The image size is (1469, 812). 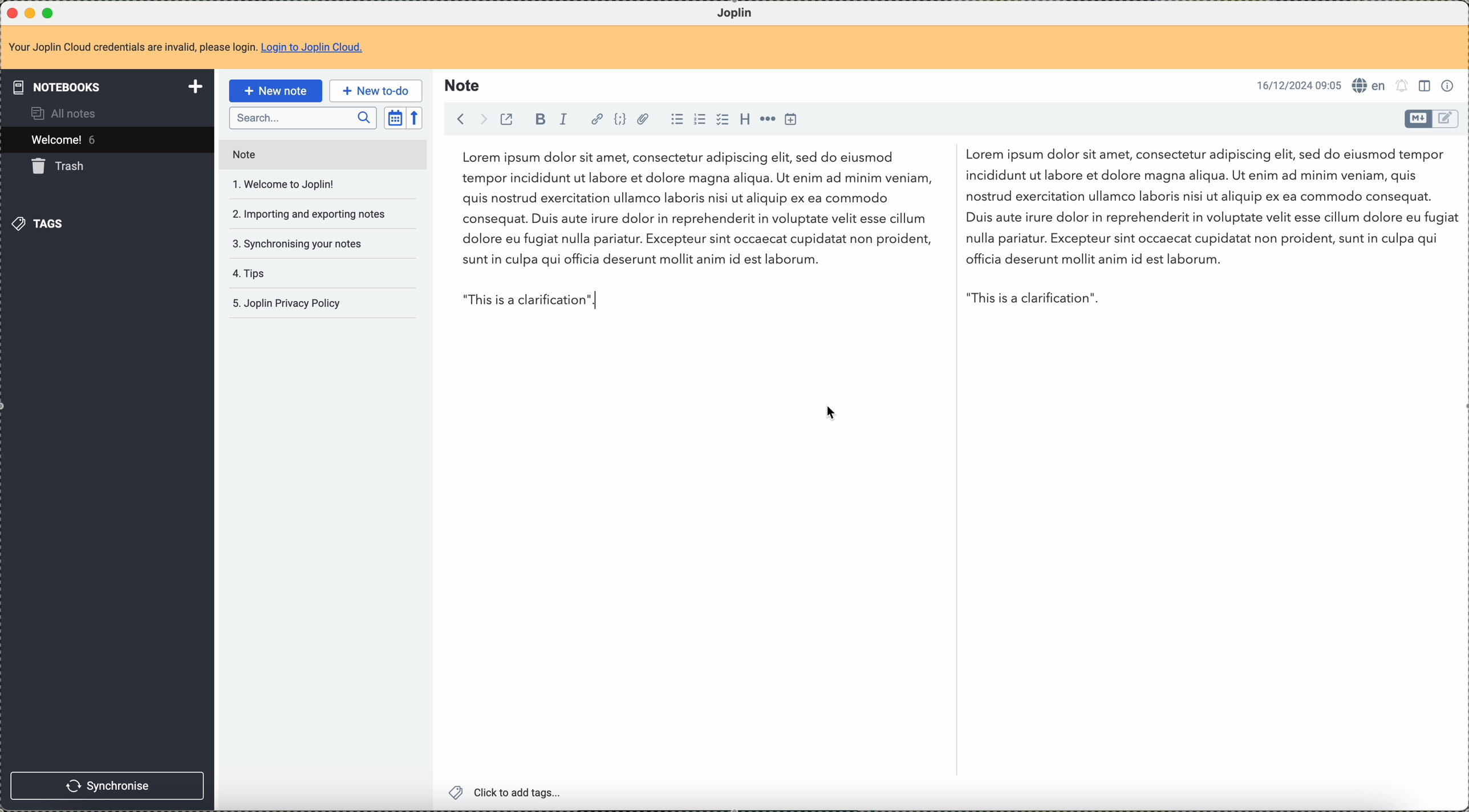 I want to click on Joplin, so click(x=735, y=13).